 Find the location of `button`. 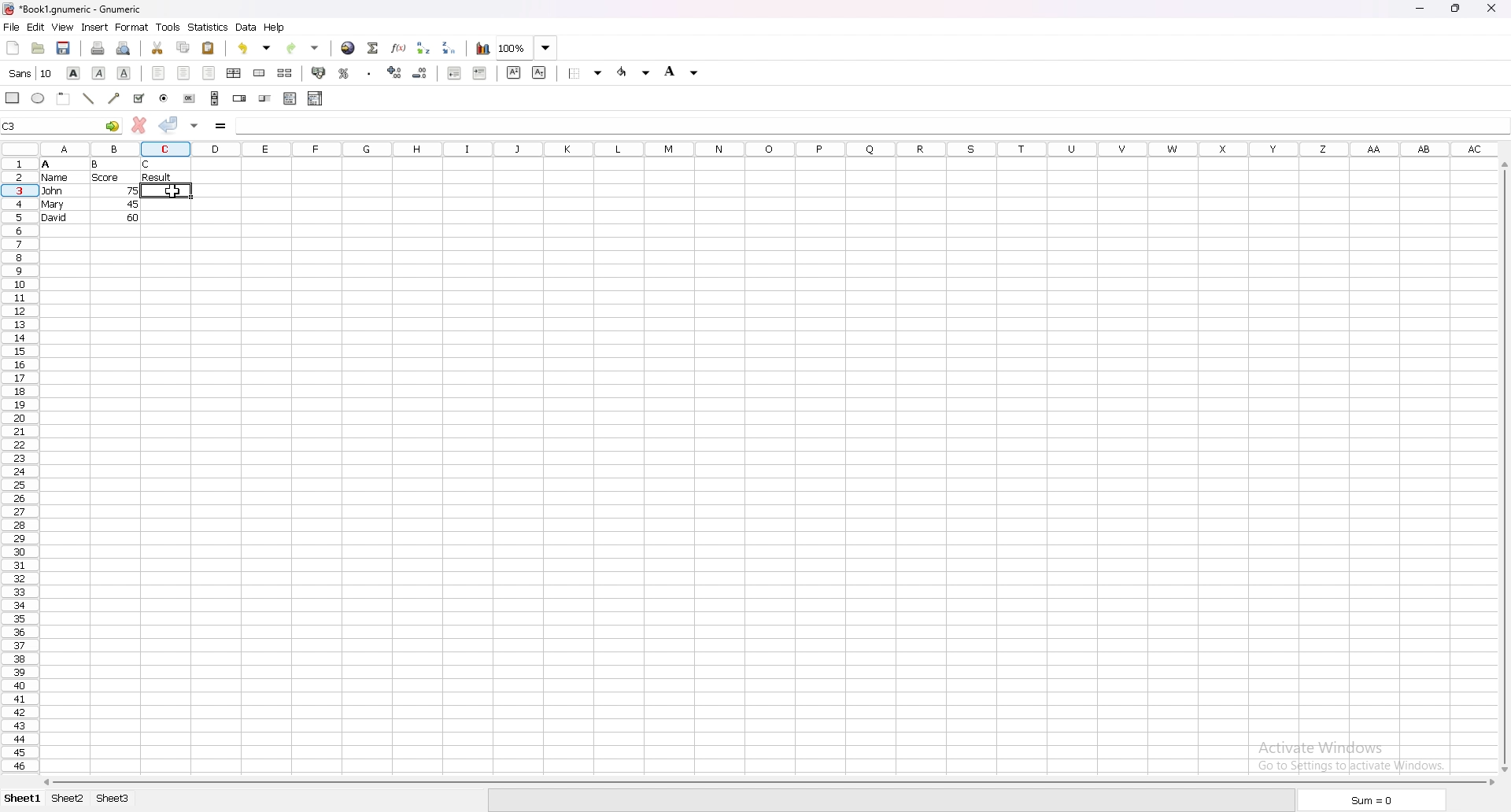

button is located at coordinates (190, 98).